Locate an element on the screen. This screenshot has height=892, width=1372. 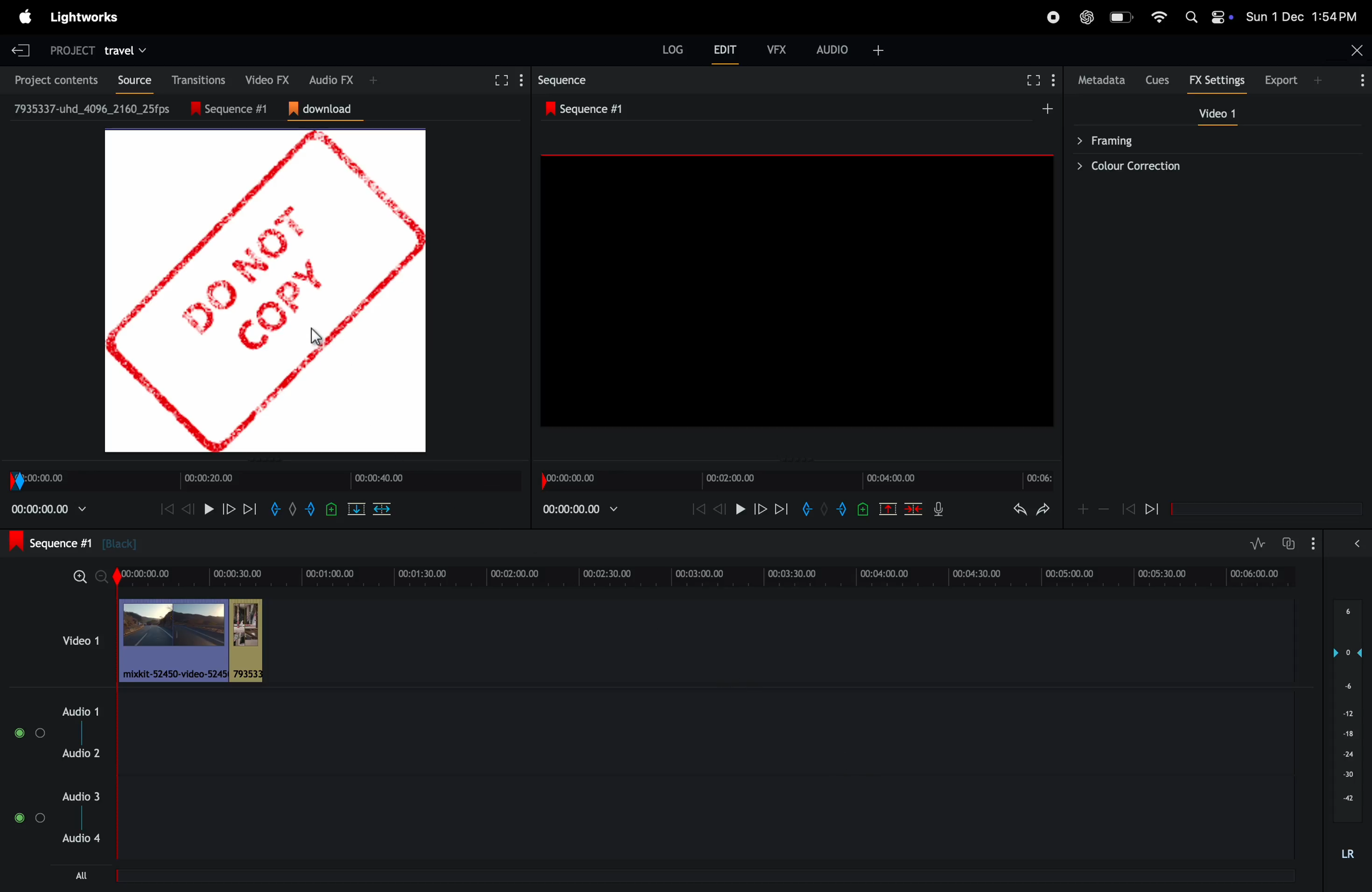
time frame is located at coordinates (265, 481).